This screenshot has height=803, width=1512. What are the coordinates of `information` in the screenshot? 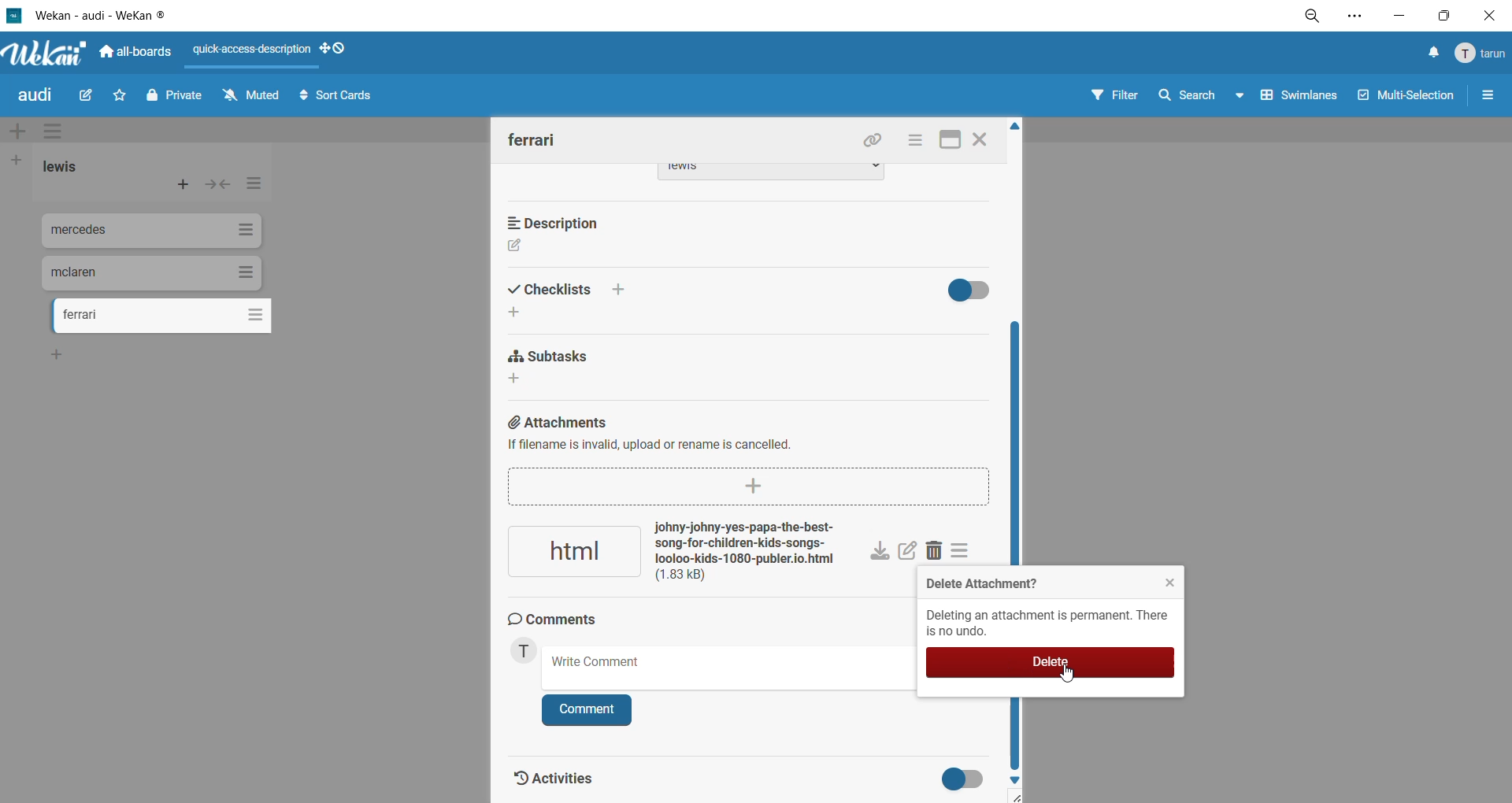 It's located at (1053, 624).